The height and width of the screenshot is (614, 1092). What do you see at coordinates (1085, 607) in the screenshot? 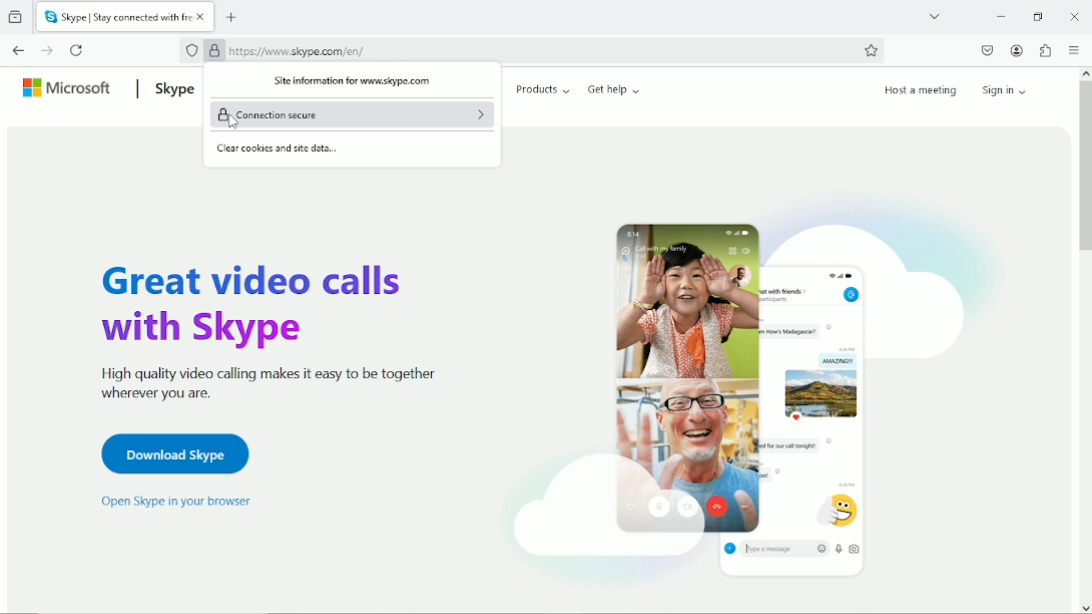
I see `scroll down` at bounding box center [1085, 607].